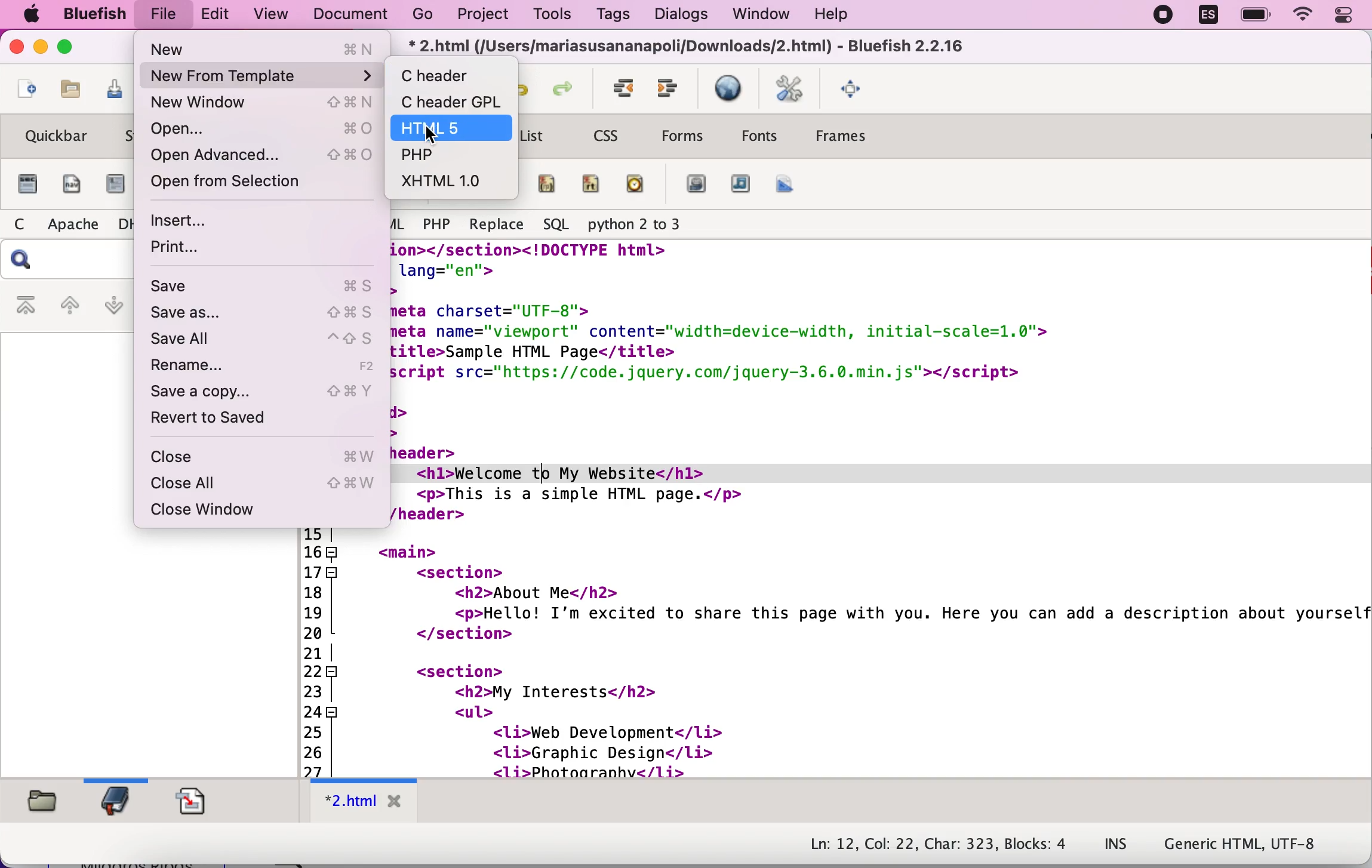  Describe the element at coordinates (550, 14) in the screenshot. I see `tools` at that location.